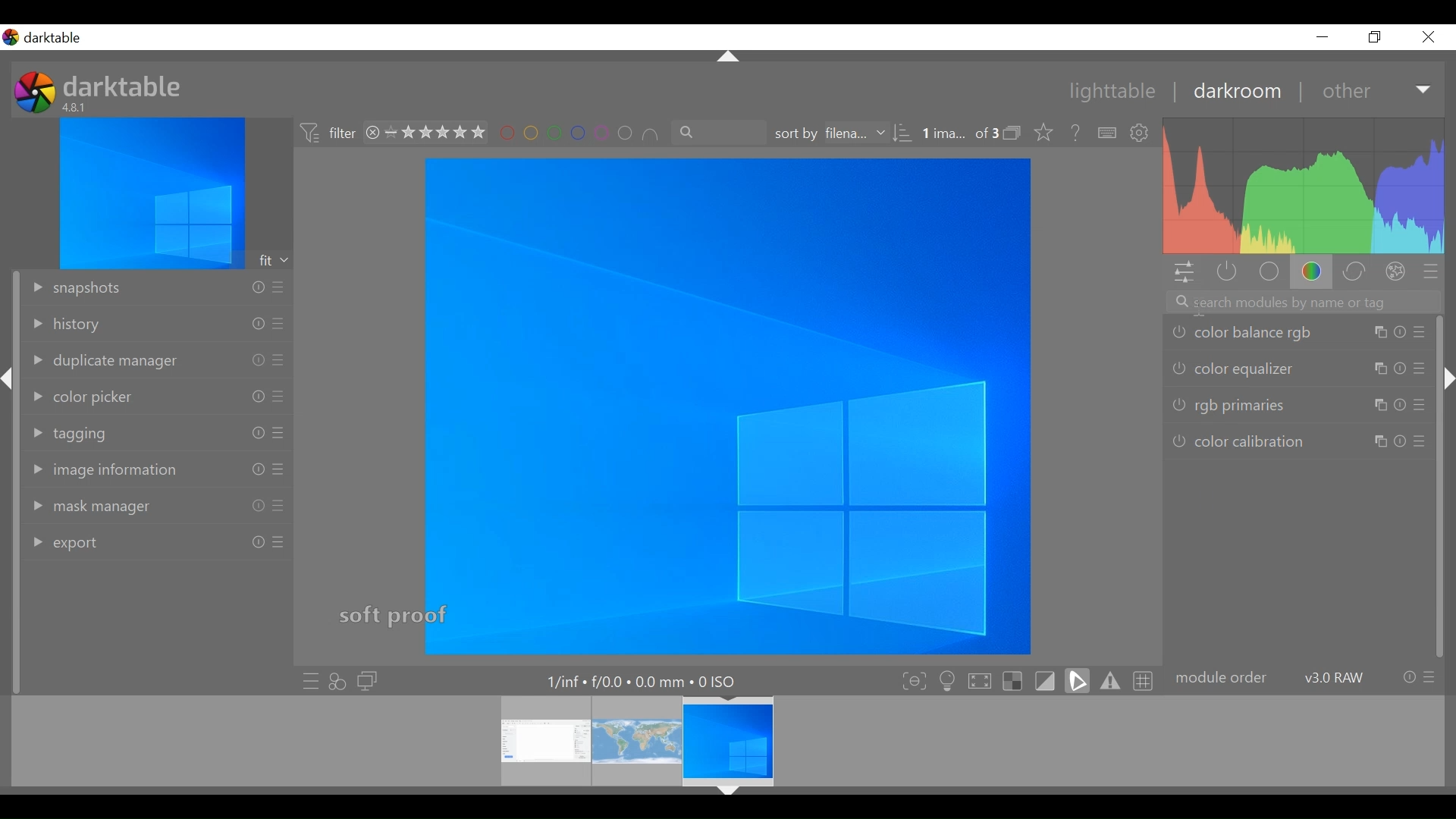 This screenshot has width=1456, height=819. Describe the element at coordinates (35, 92) in the screenshot. I see `logo` at that location.